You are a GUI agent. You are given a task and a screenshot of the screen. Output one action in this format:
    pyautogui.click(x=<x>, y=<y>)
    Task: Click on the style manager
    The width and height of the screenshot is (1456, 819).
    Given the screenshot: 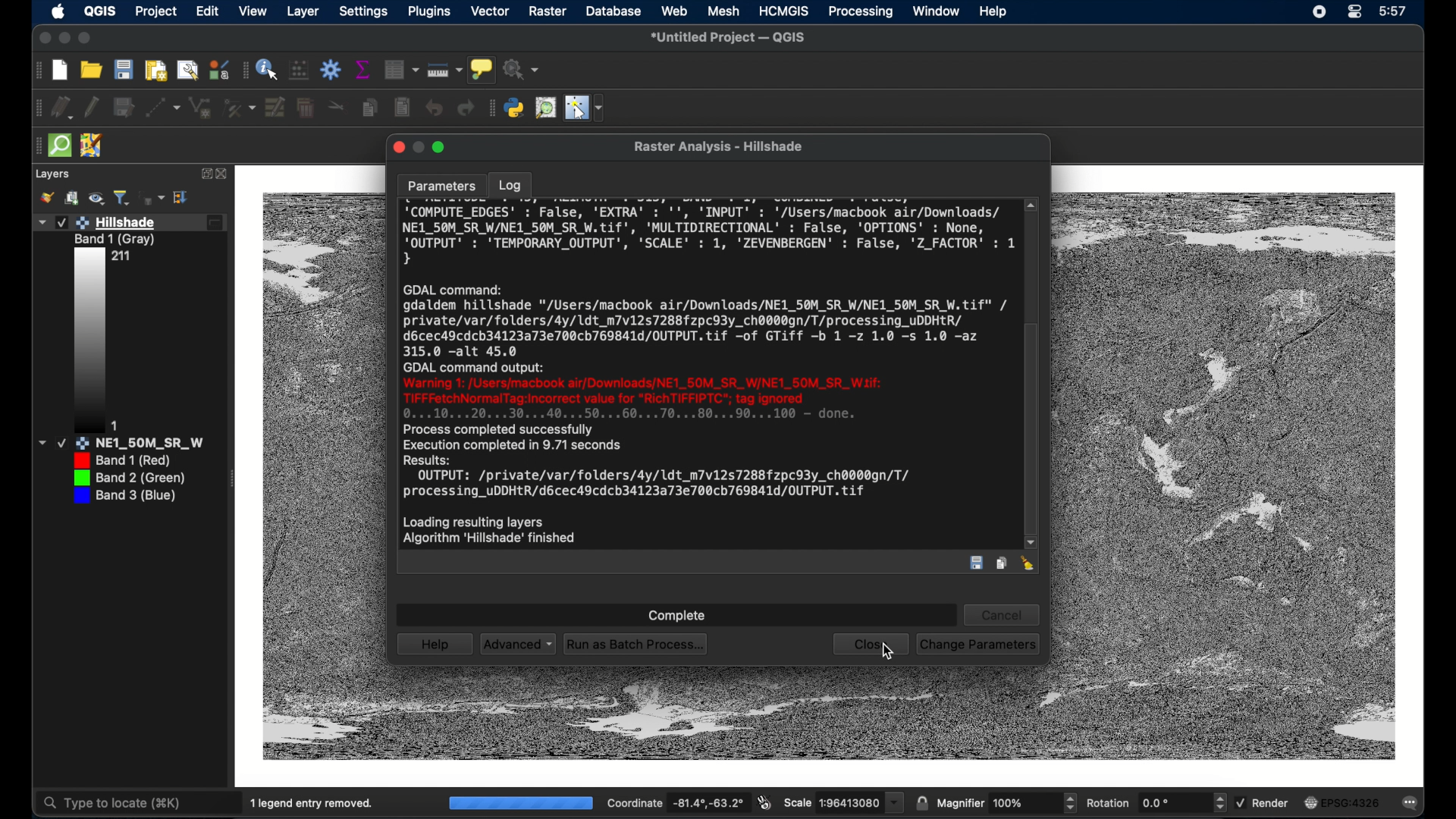 What is the action you would take?
    pyautogui.click(x=218, y=69)
    